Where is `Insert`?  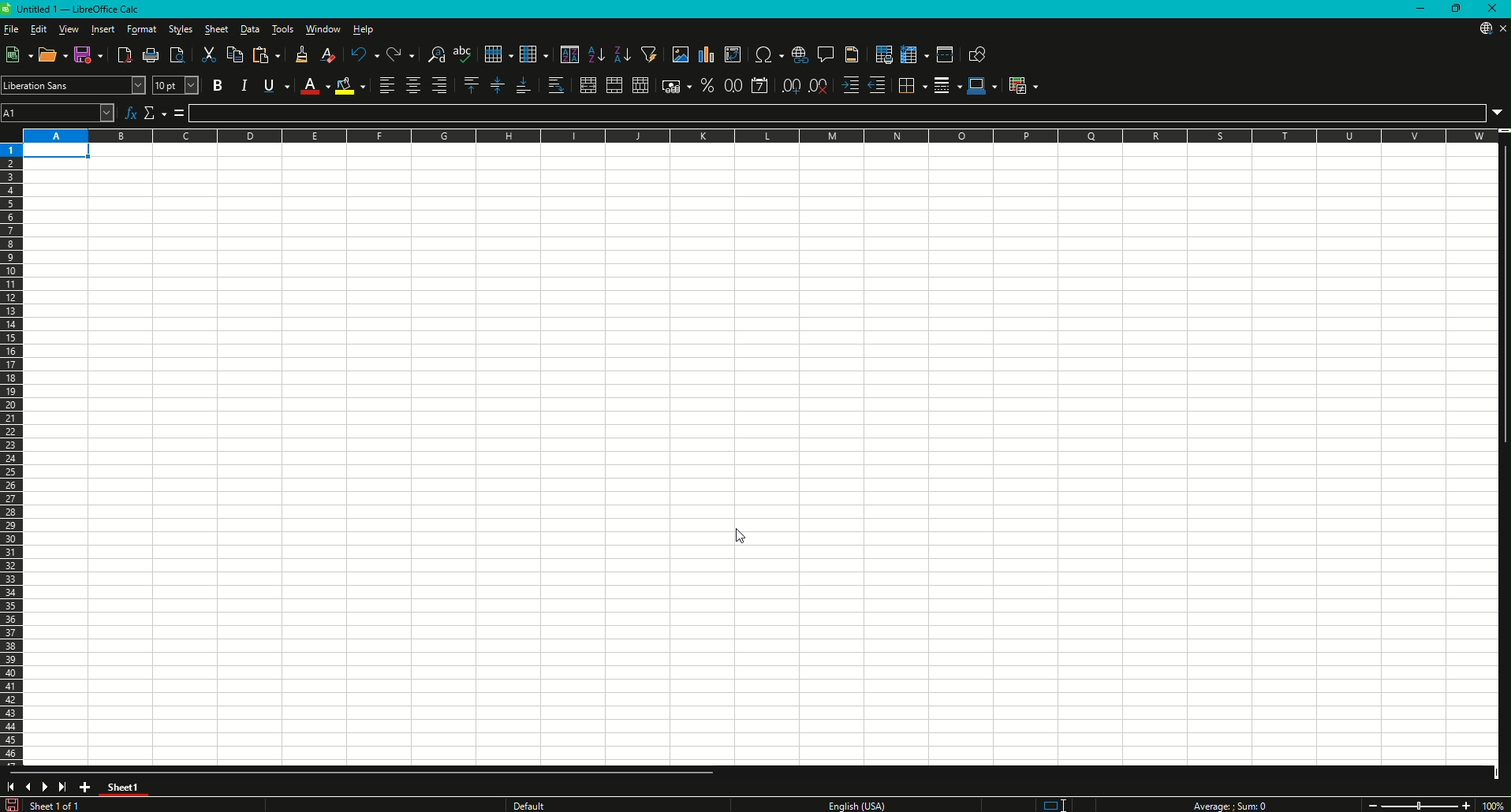
Insert is located at coordinates (103, 28).